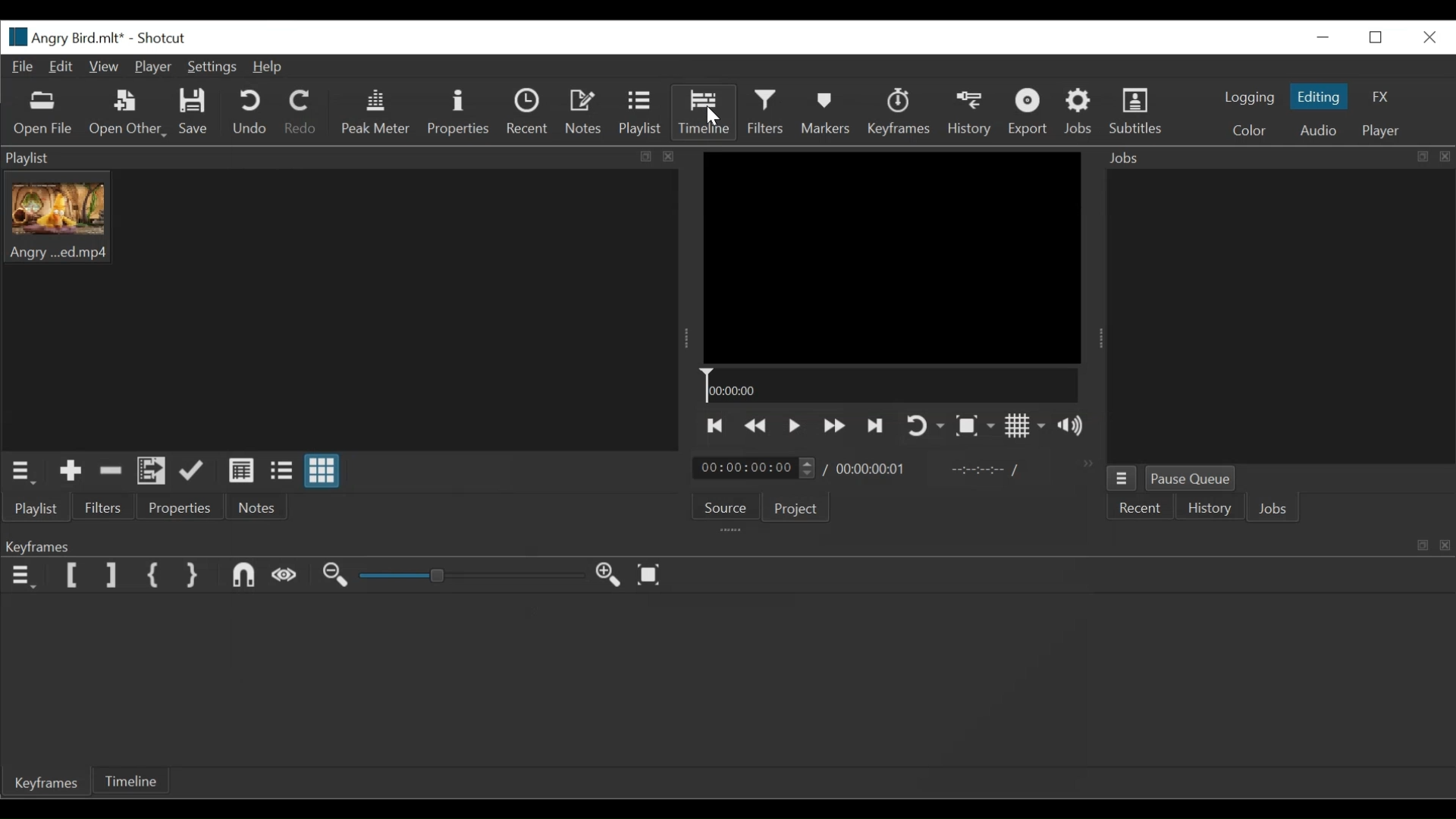 The height and width of the screenshot is (819, 1456). Describe the element at coordinates (1380, 131) in the screenshot. I see `Player` at that location.